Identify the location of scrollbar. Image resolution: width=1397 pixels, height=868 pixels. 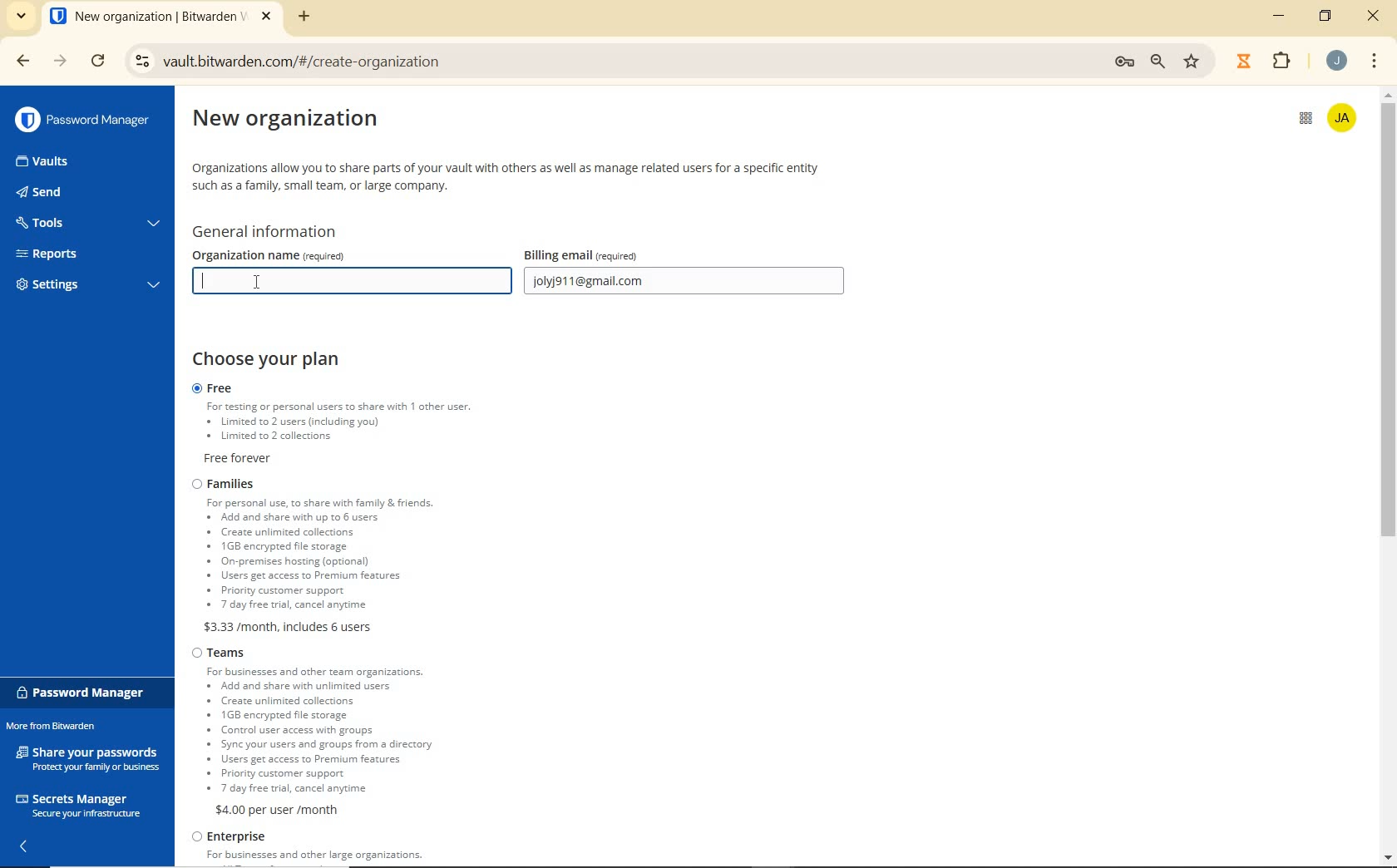
(1389, 475).